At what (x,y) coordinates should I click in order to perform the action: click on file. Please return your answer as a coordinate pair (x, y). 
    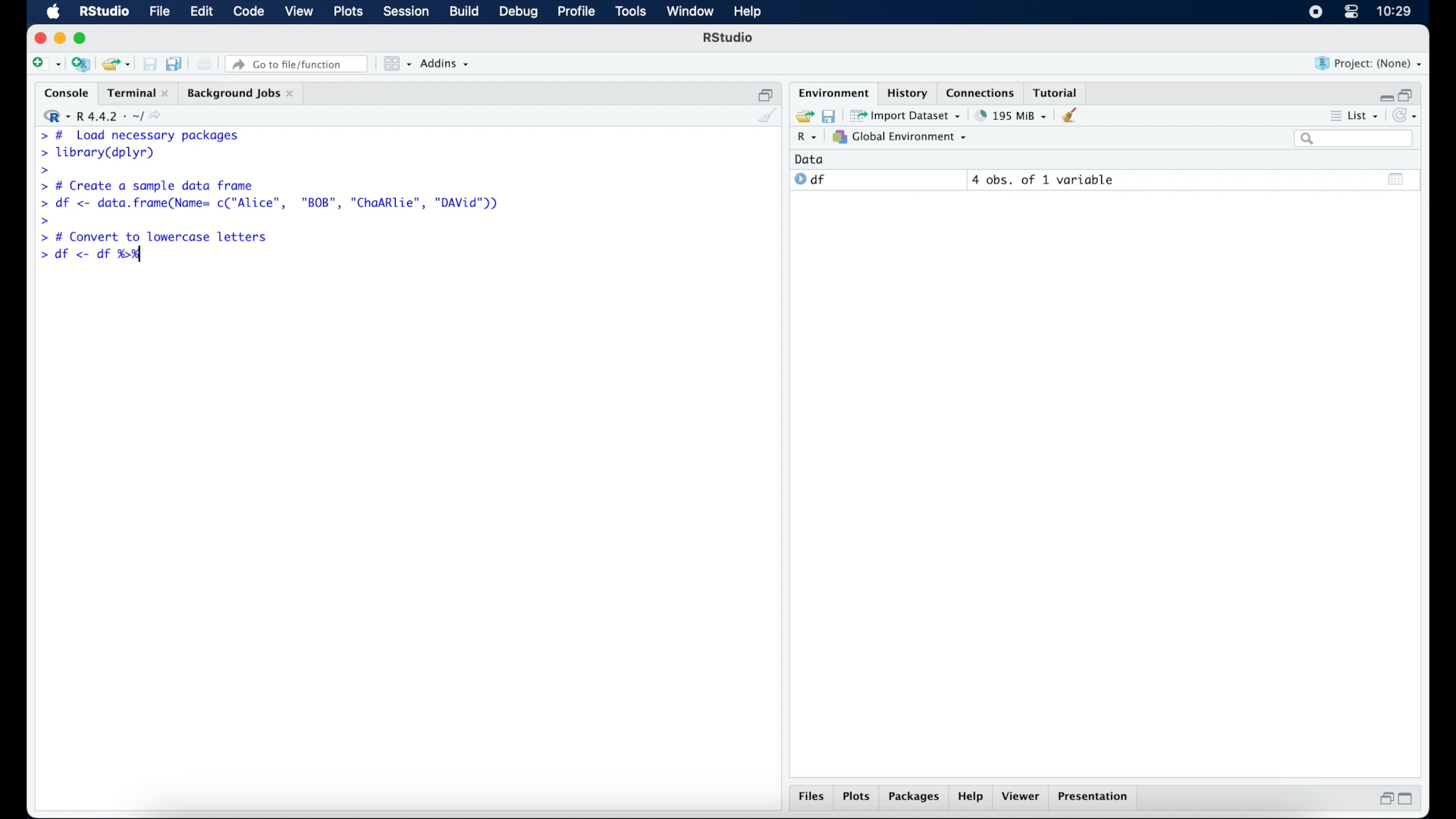
    Looking at the image, I should click on (158, 12).